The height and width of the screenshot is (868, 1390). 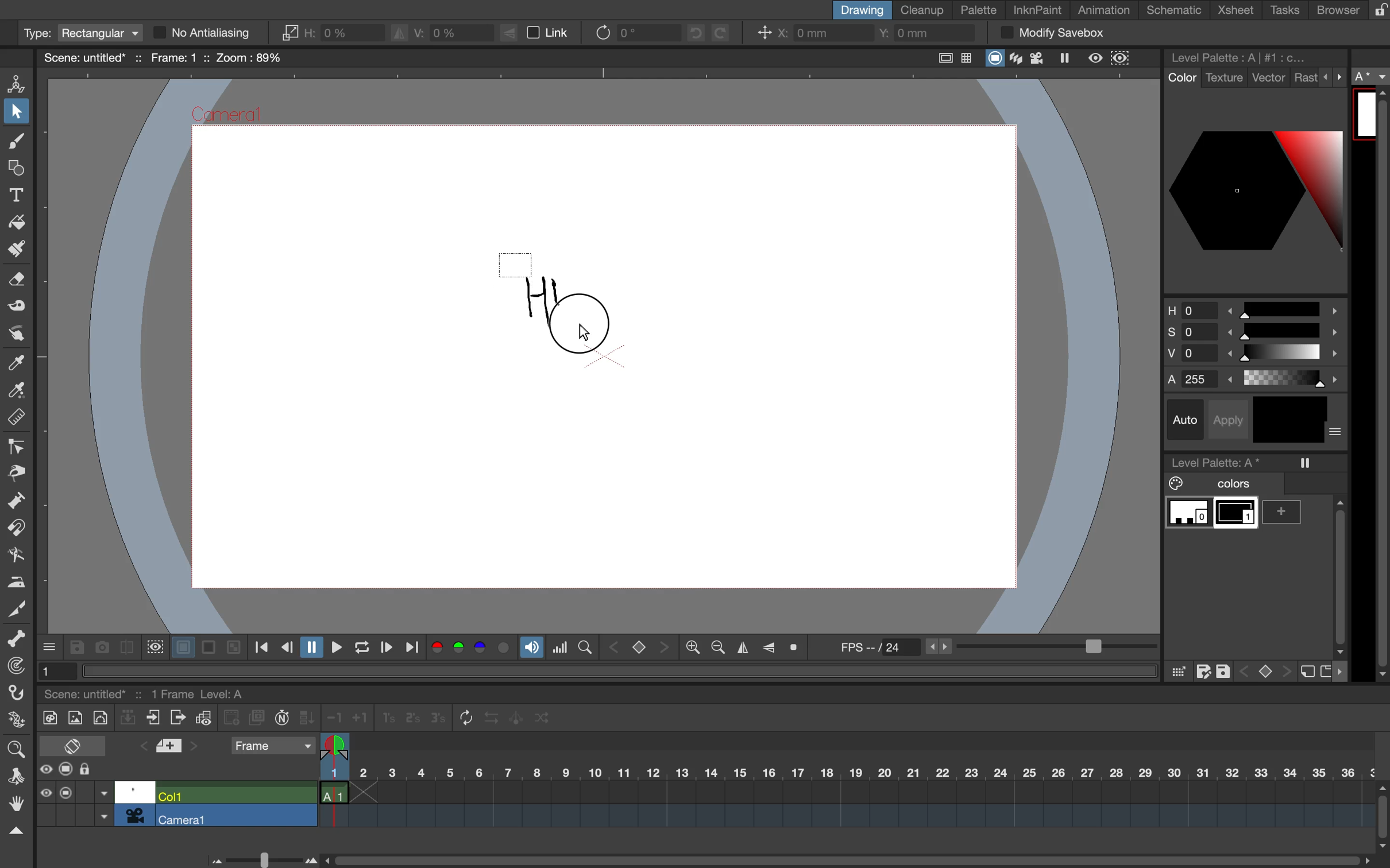 I want to click on soundtrack, so click(x=531, y=650).